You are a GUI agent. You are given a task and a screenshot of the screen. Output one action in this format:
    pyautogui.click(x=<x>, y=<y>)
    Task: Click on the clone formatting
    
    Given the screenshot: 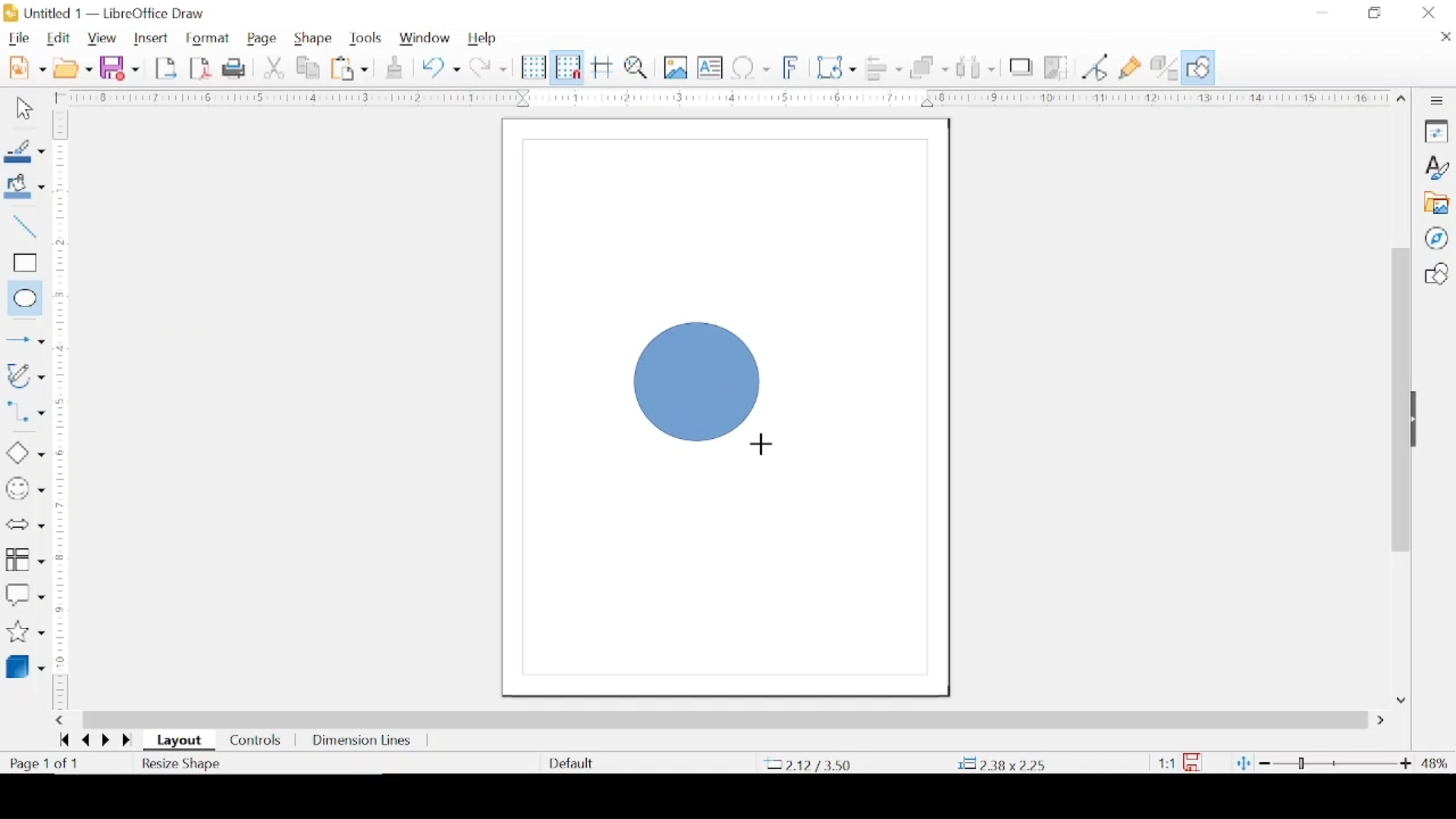 What is the action you would take?
    pyautogui.click(x=393, y=67)
    